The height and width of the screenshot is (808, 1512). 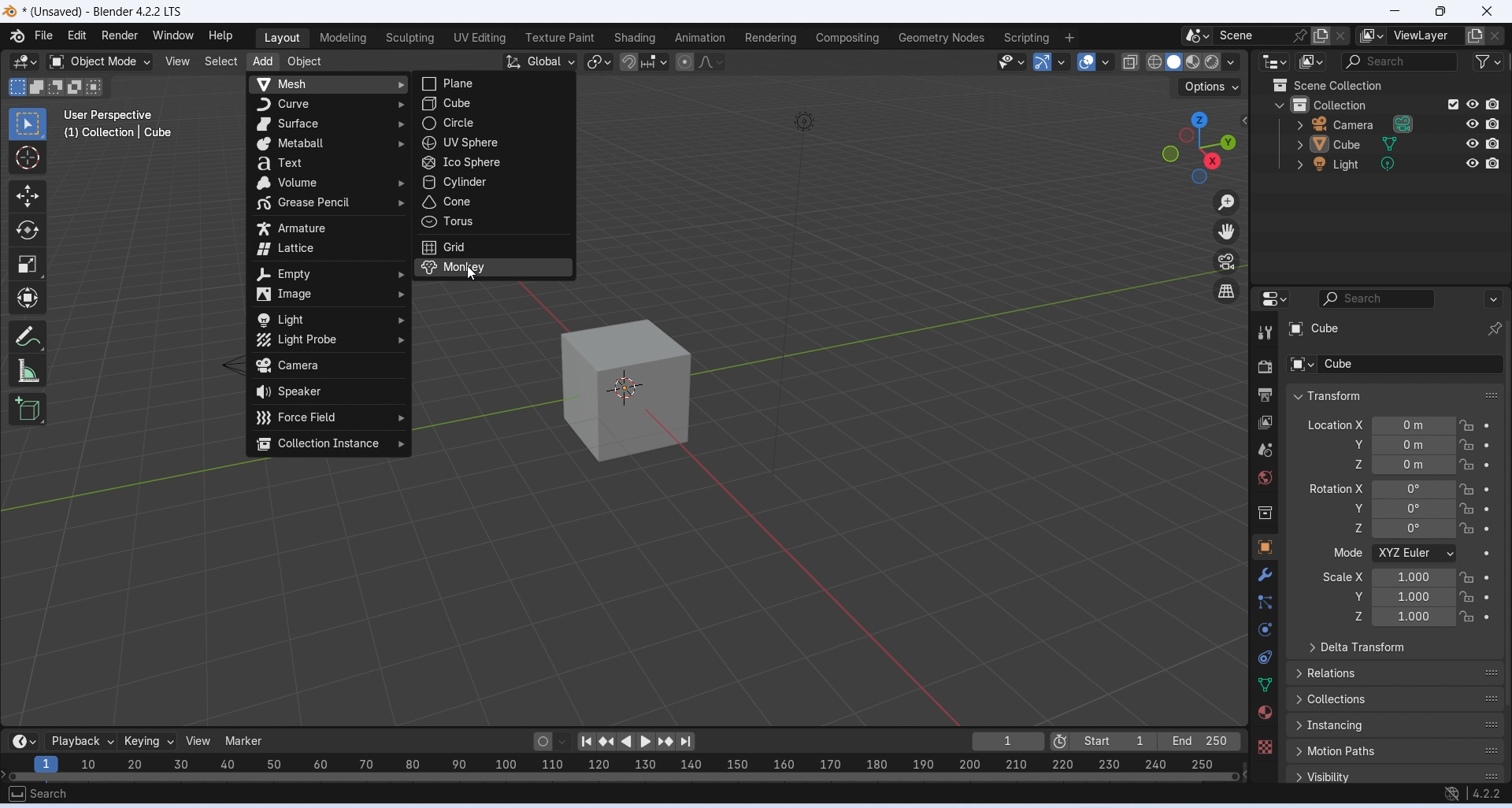 I want to click on animate property, so click(x=1488, y=465).